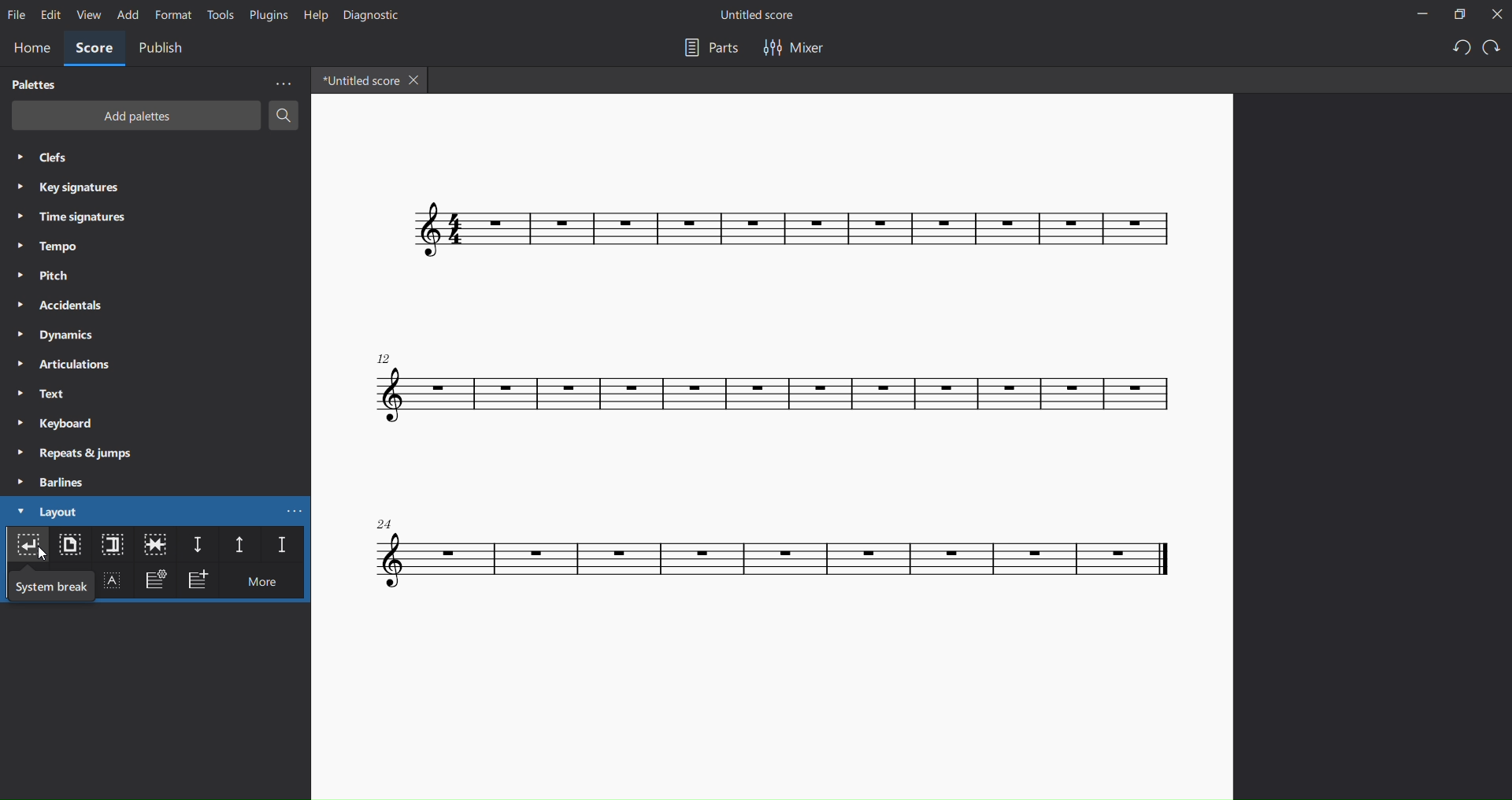  I want to click on key signatures, so click(72, 190).